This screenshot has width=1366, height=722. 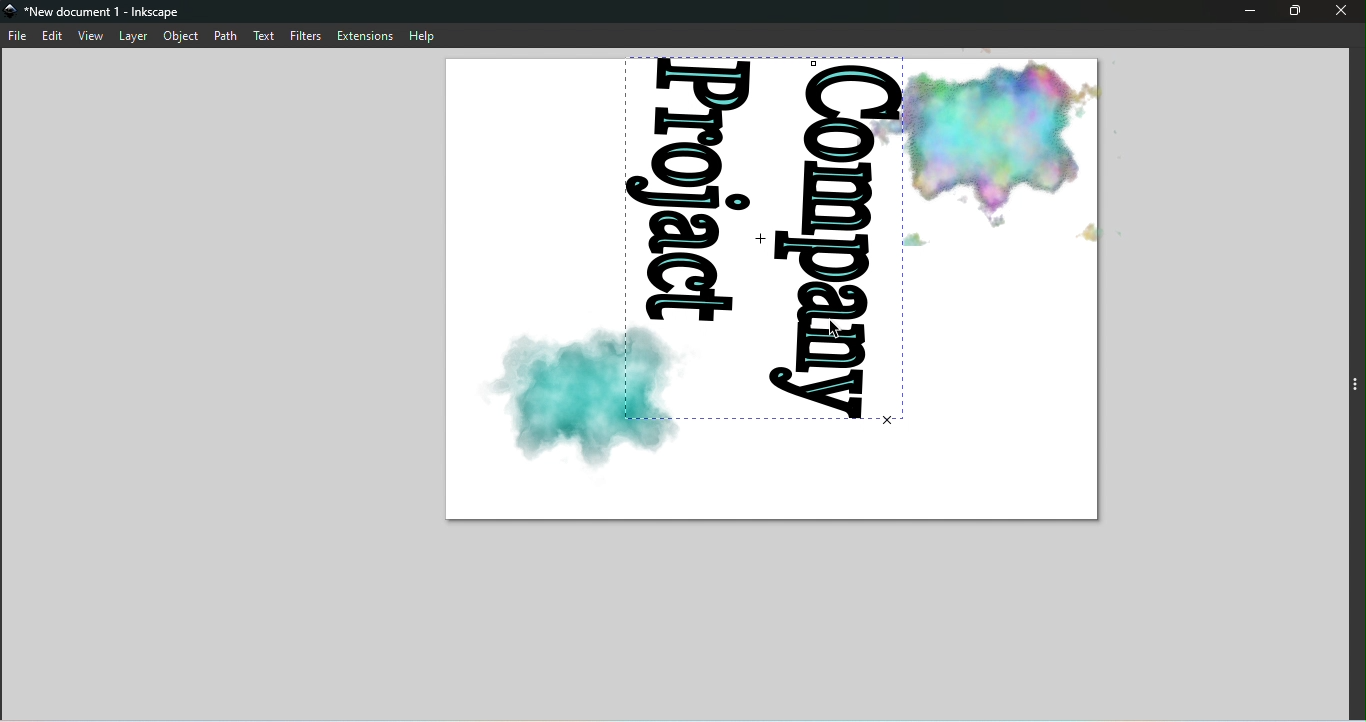 I want to click on Minimize, so click(x=1250, y=13).